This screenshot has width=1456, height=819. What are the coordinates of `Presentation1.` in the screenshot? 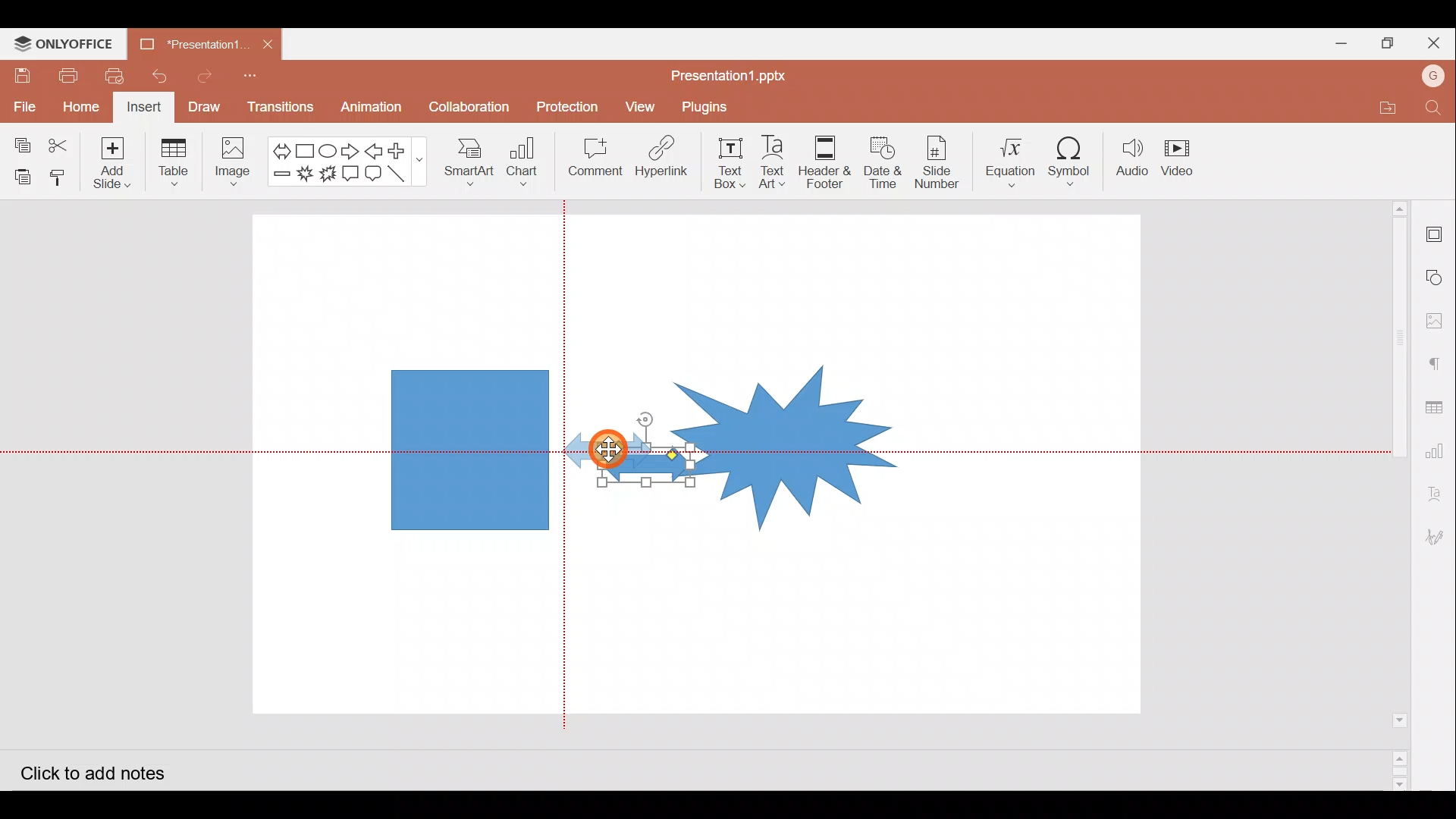 It's located at (193, 44).